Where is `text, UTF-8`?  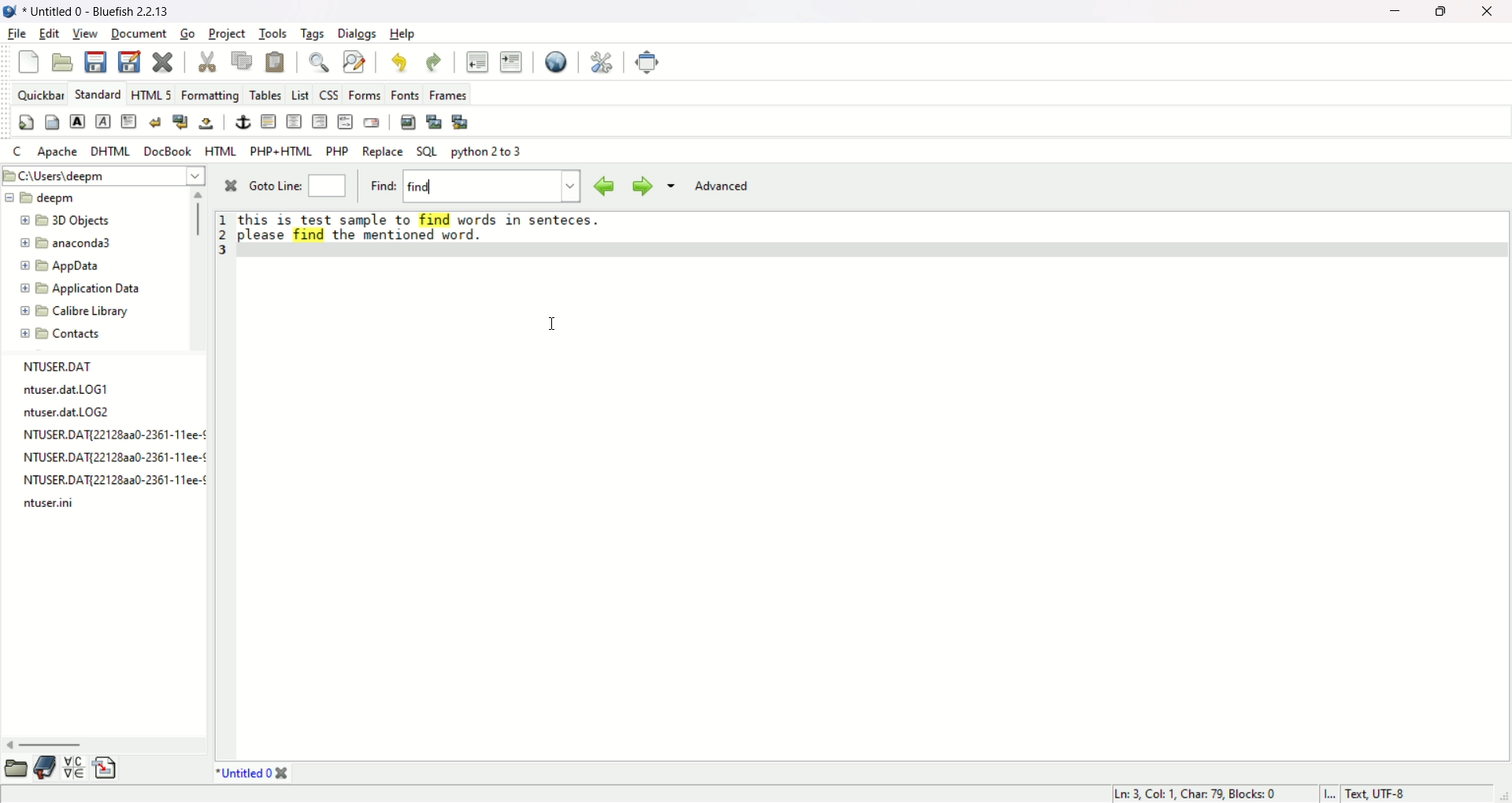 text, UTF-8 is located at coordinates (1385, 794).